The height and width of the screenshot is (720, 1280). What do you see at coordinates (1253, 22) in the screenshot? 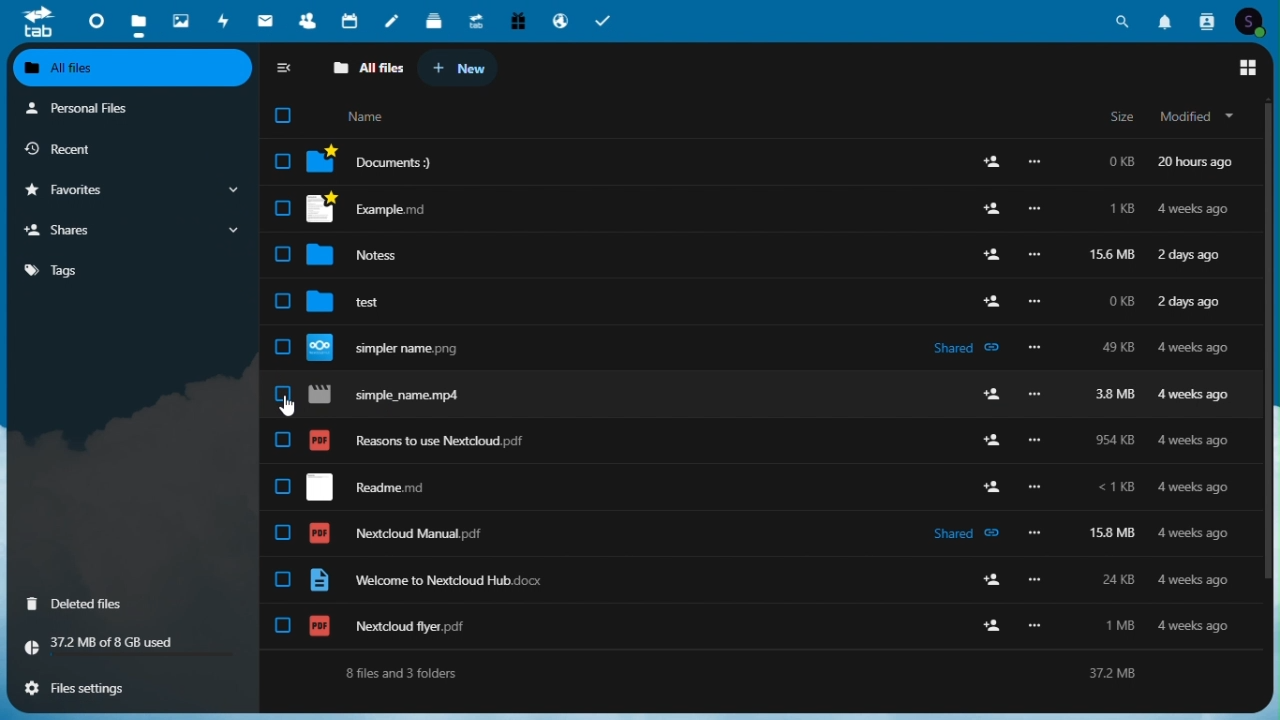
I see `Account icon` at bounding box center [1253, 22].